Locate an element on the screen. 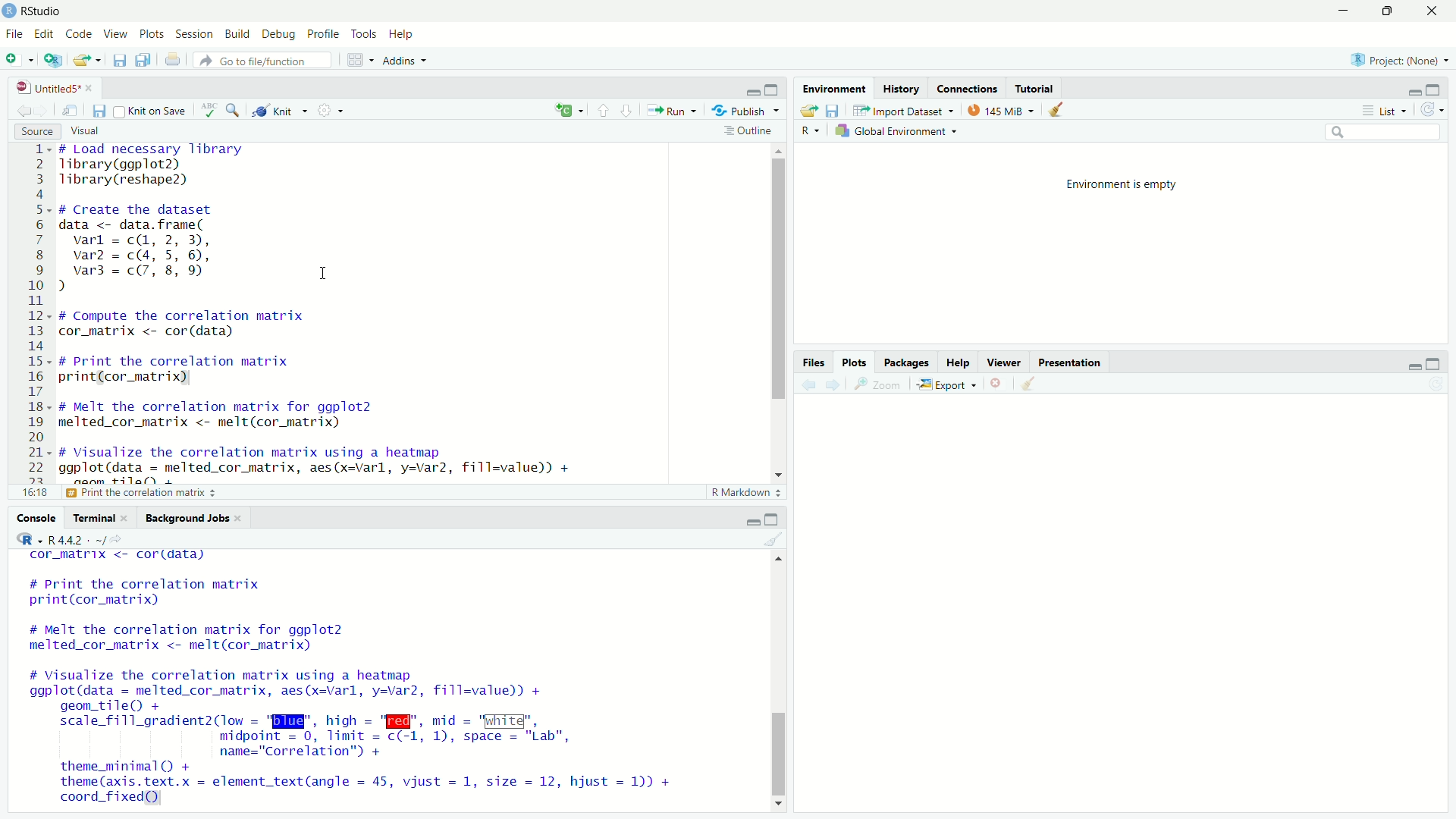  tutorial is located at coordinates (1036, 87).